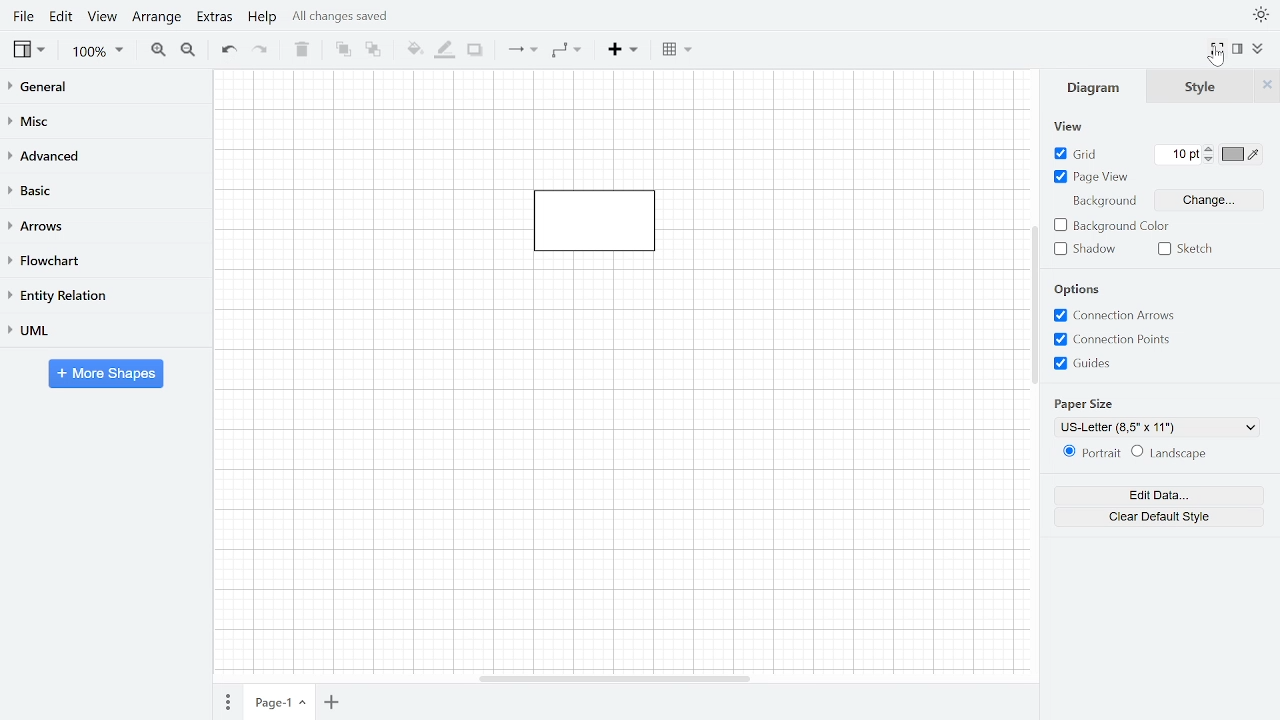 The height and width of the screenshot is (720, 1280). I want to click on Horizontal scrollbar, so click(614, 679).